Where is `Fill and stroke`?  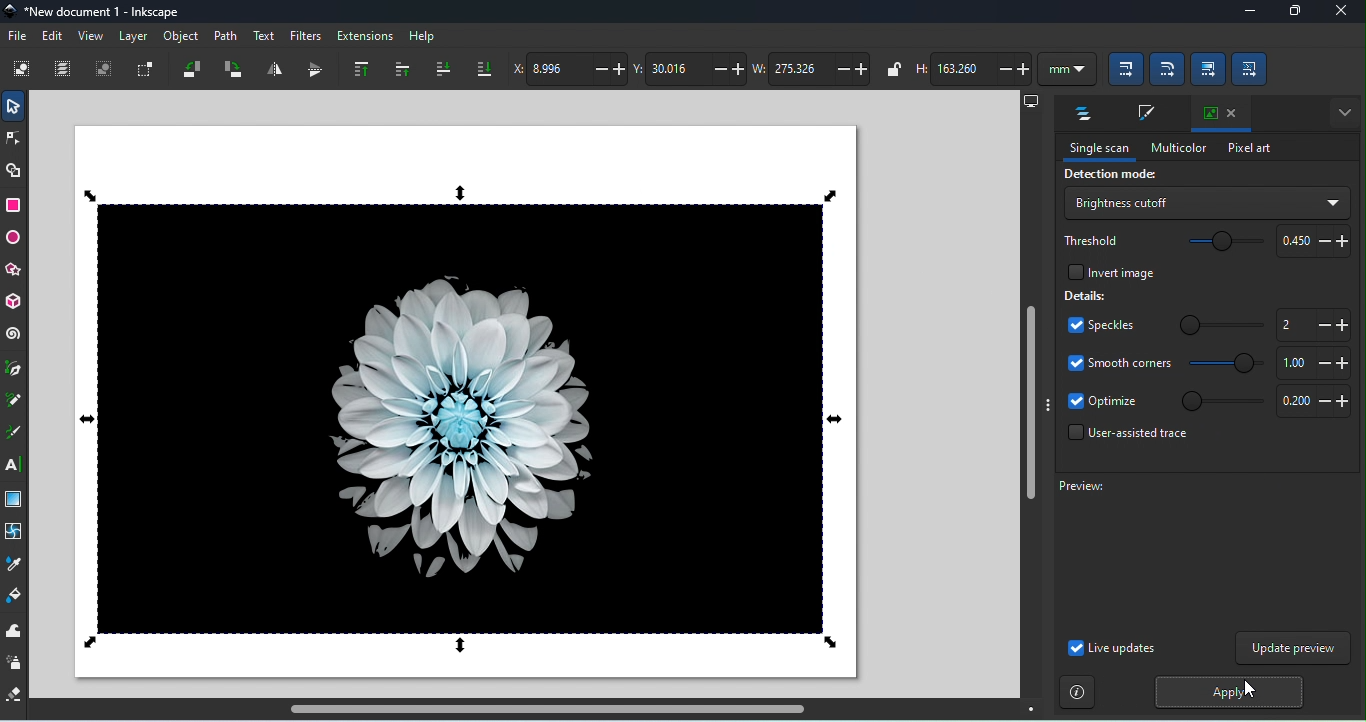
Fill and stroke is located at coordinates (1144, 114).